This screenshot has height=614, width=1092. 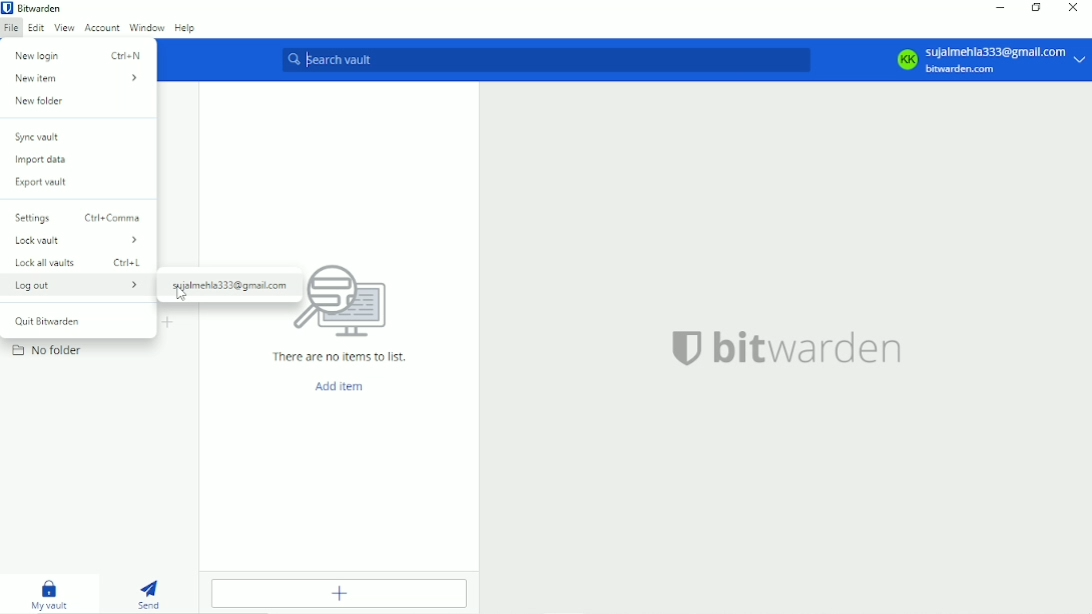 What do you see at coordinates (79, 55) in the screenshot?
I see `New login Ctrl+N` at bounding box center [79, 55].